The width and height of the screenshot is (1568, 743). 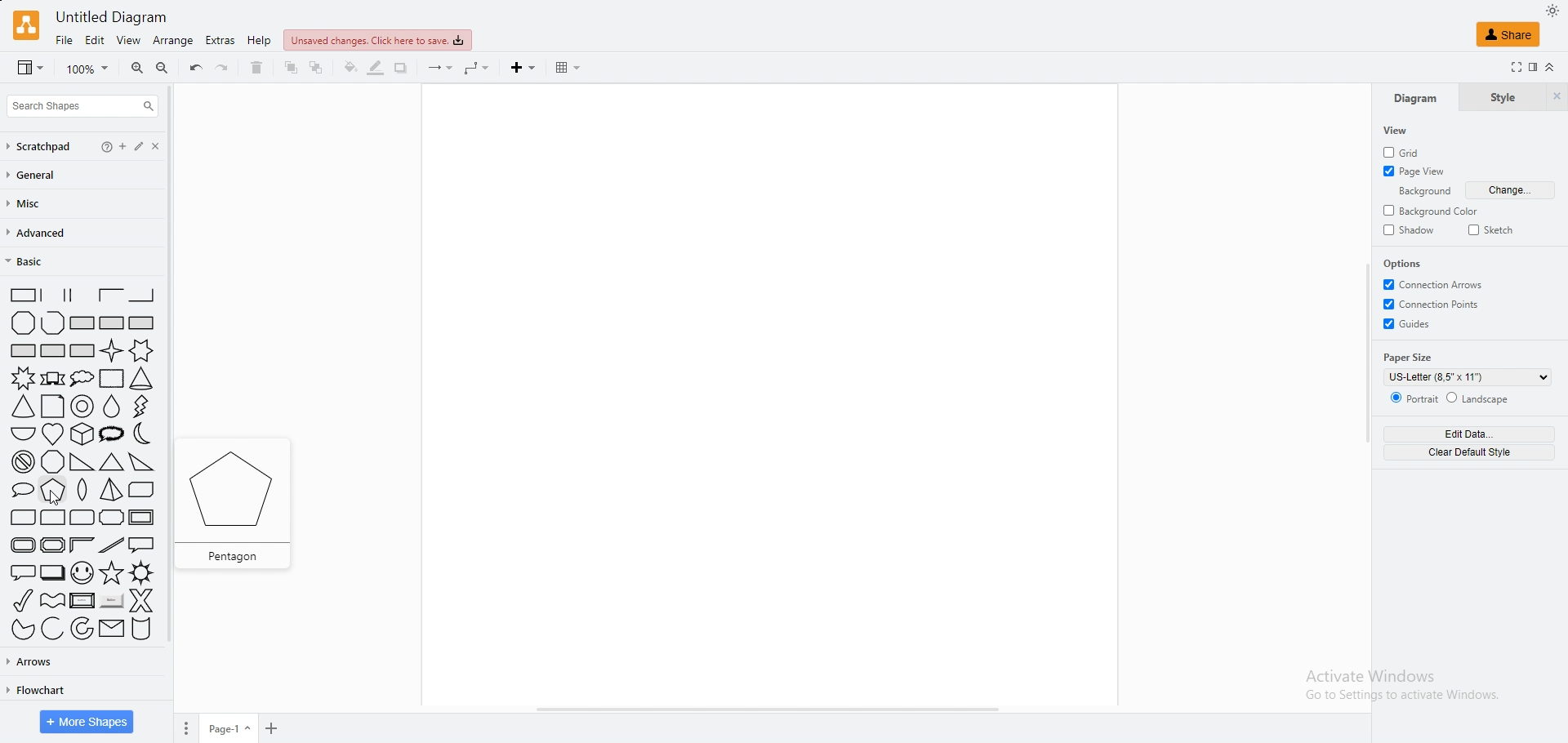 What do you see at coordinates (53, 598) in the screenshot?
I see `wave` at bounding box center [53, 598].